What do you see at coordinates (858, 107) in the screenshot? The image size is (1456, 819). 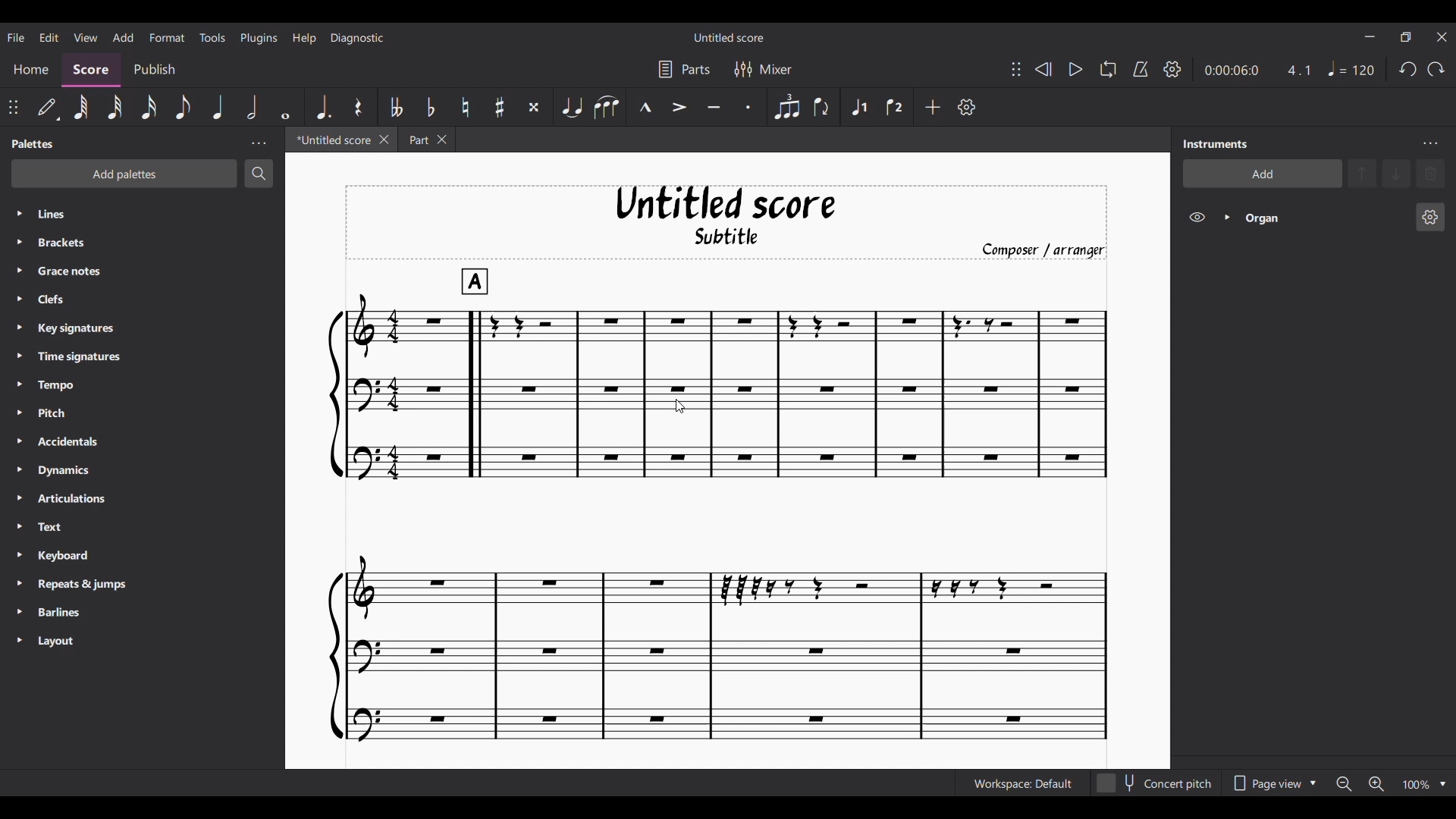 I see `Voice 1` at bounding box center [858, 107].